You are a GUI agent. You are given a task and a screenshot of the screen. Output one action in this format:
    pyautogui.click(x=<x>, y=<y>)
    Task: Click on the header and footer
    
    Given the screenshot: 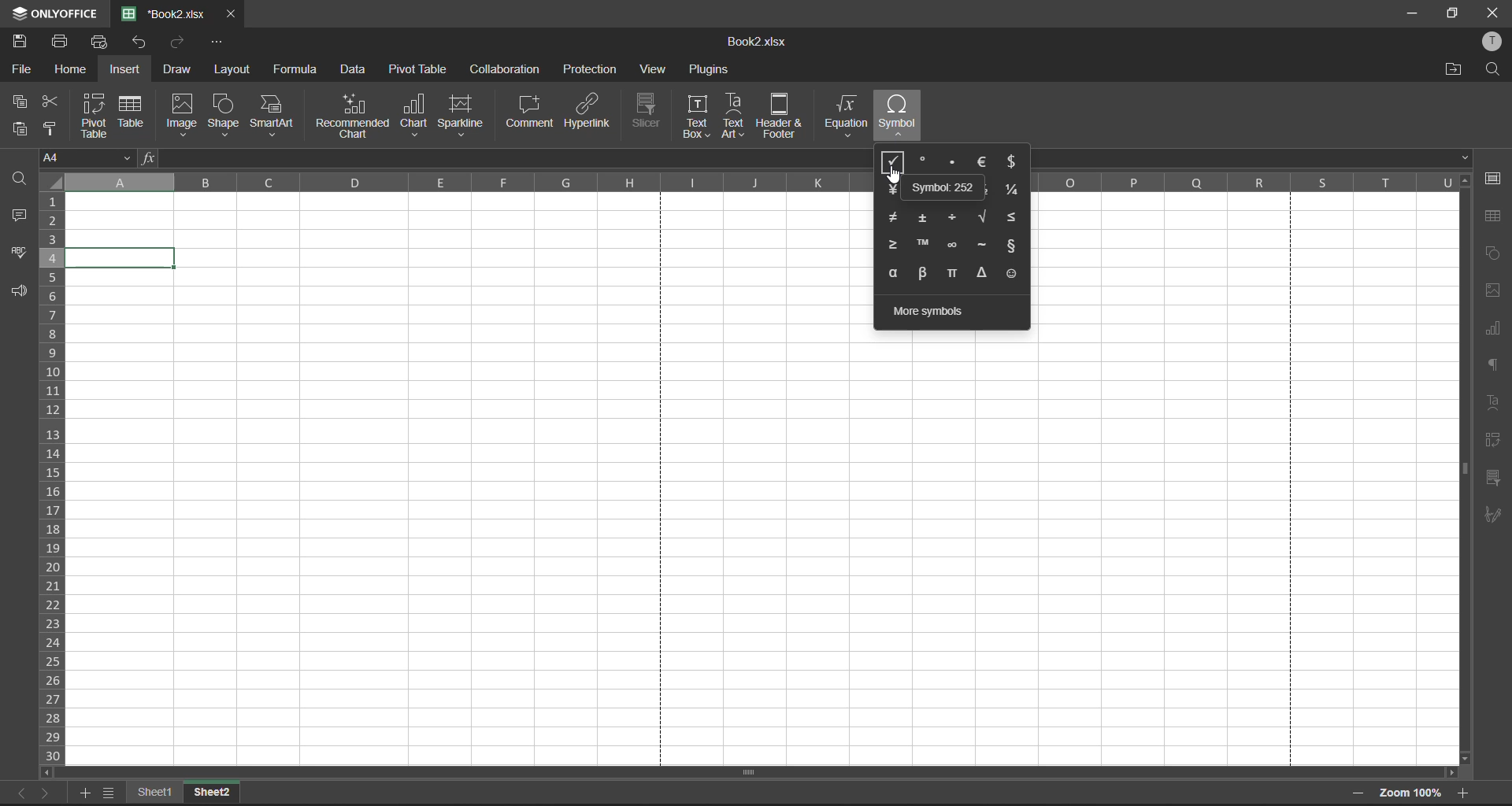 What is the action you would take?
    pyautogui.click(x=783, y=114)
    